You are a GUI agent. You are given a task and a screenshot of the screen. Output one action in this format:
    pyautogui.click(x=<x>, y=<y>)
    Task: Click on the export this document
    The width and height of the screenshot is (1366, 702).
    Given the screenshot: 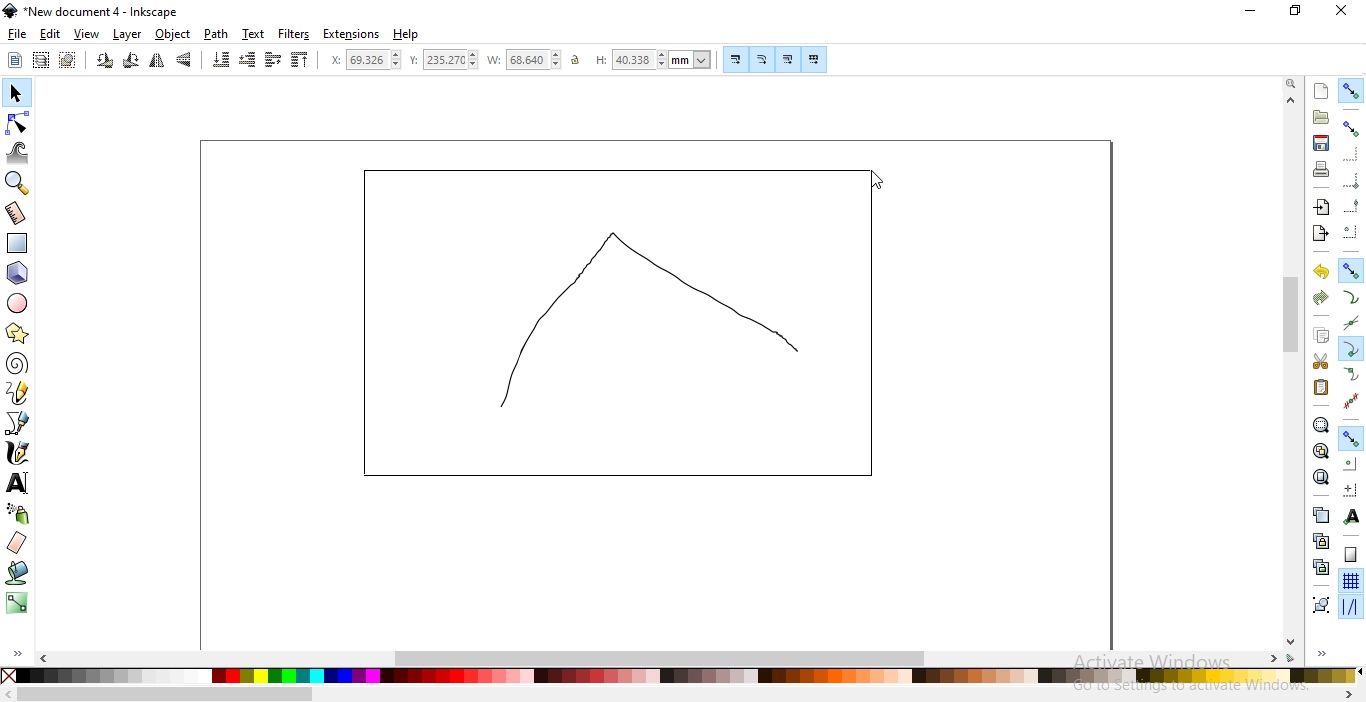 What is the action you would take?
    pyautogui.click(x=1319, y=234)
    